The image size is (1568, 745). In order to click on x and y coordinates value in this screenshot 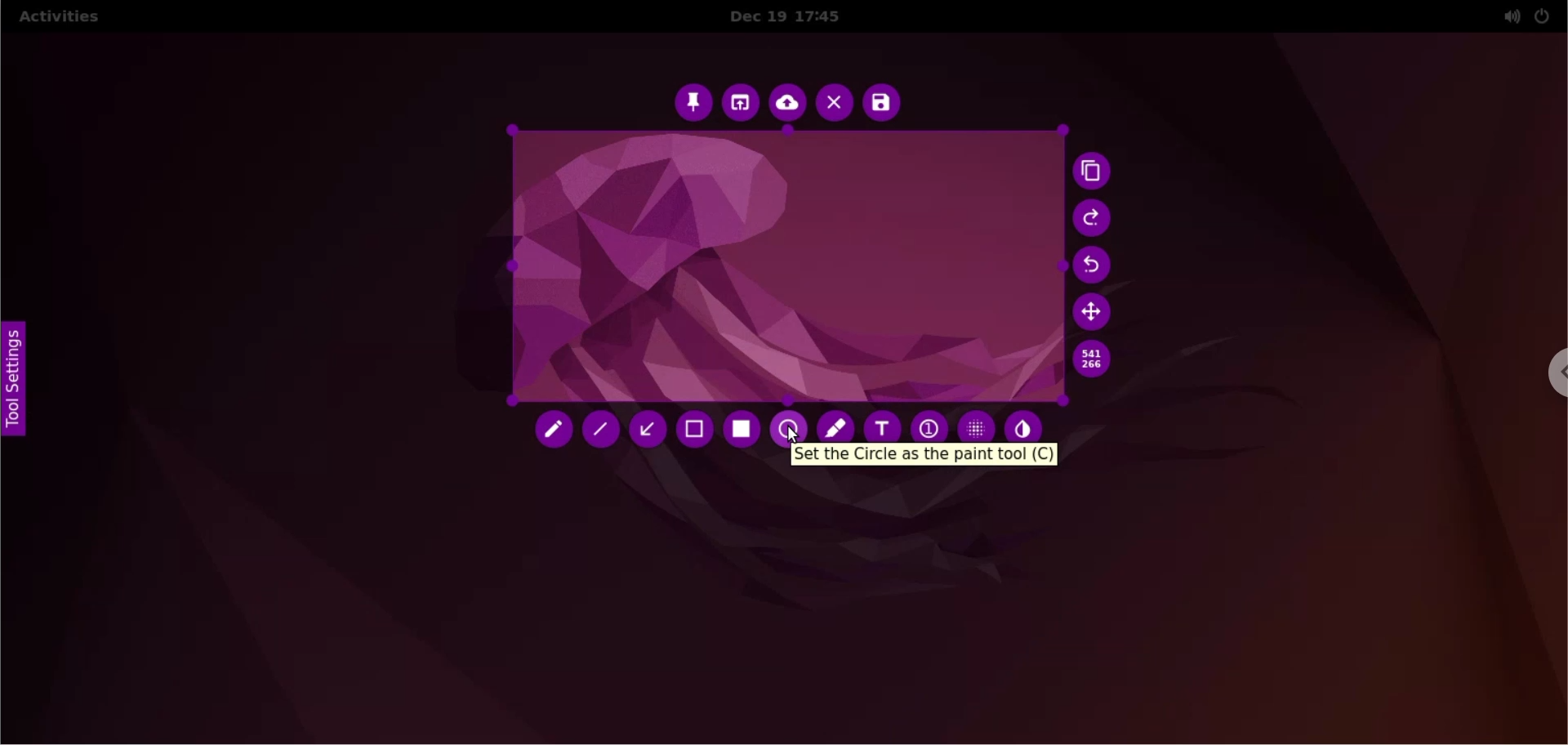, I will do `click(1102, 359)`.